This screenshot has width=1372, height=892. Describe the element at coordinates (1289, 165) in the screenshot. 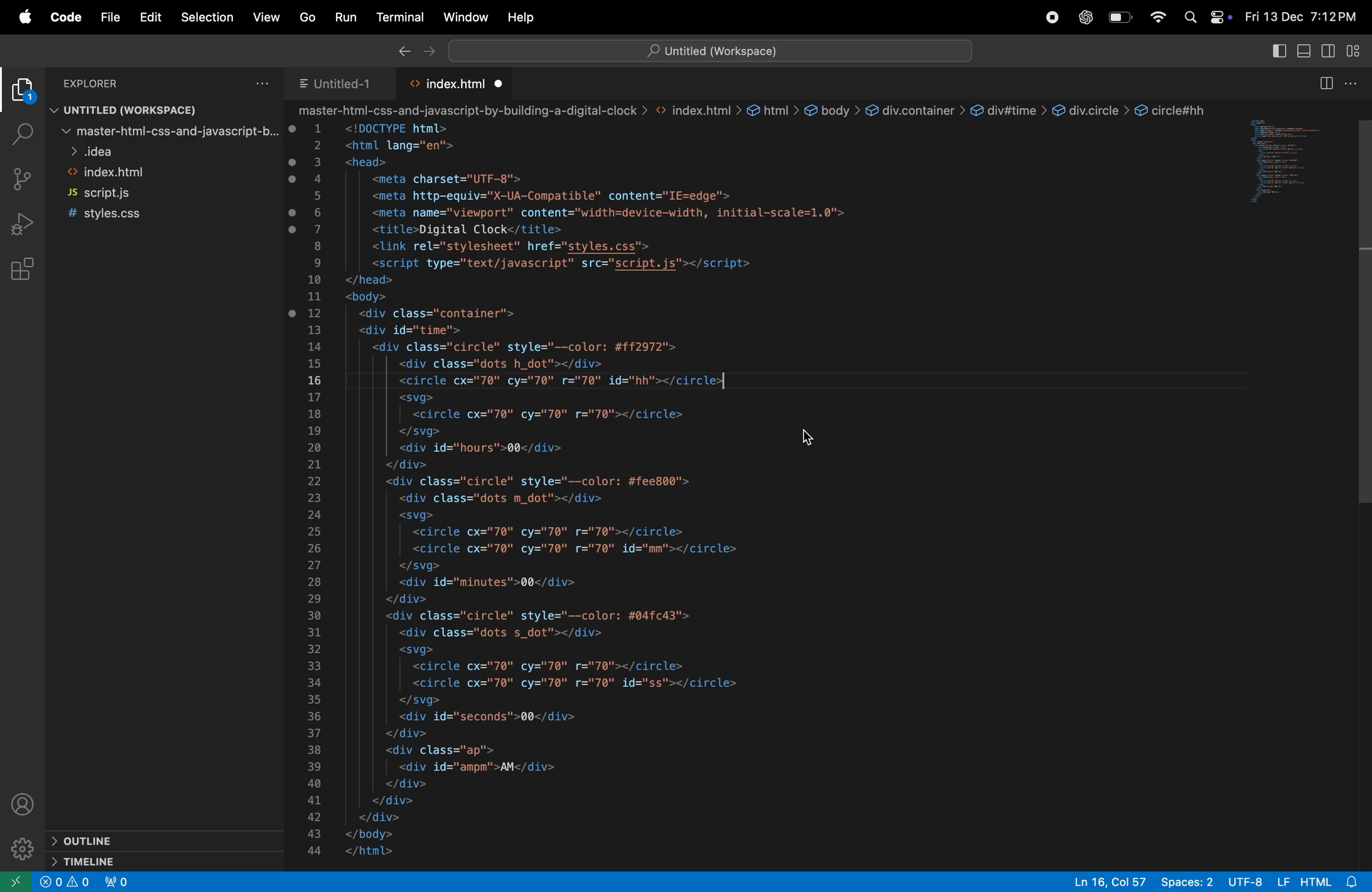

I see `window` at that location.